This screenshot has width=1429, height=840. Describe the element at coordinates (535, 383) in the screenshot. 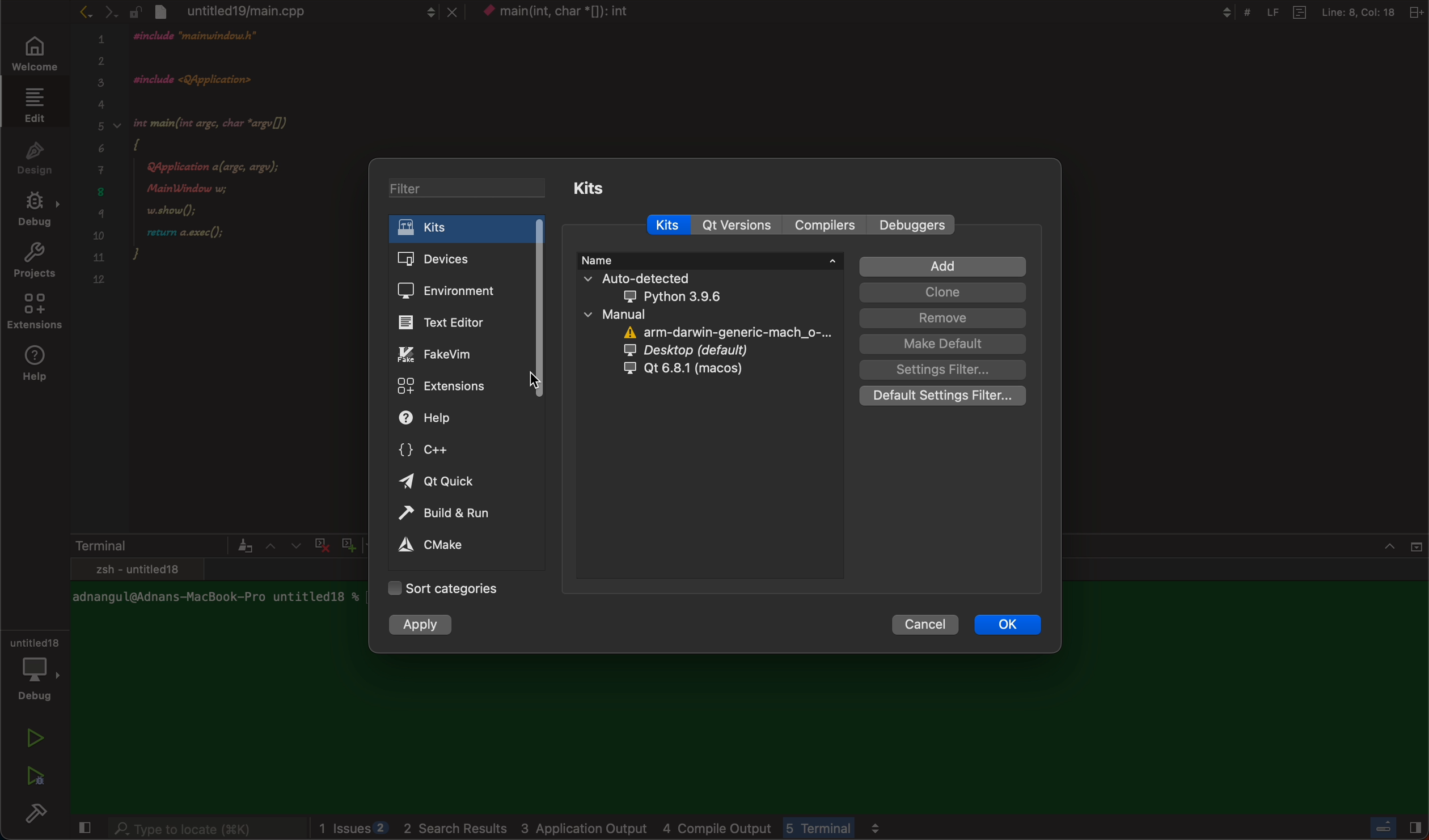

I see `cursor` at that location.